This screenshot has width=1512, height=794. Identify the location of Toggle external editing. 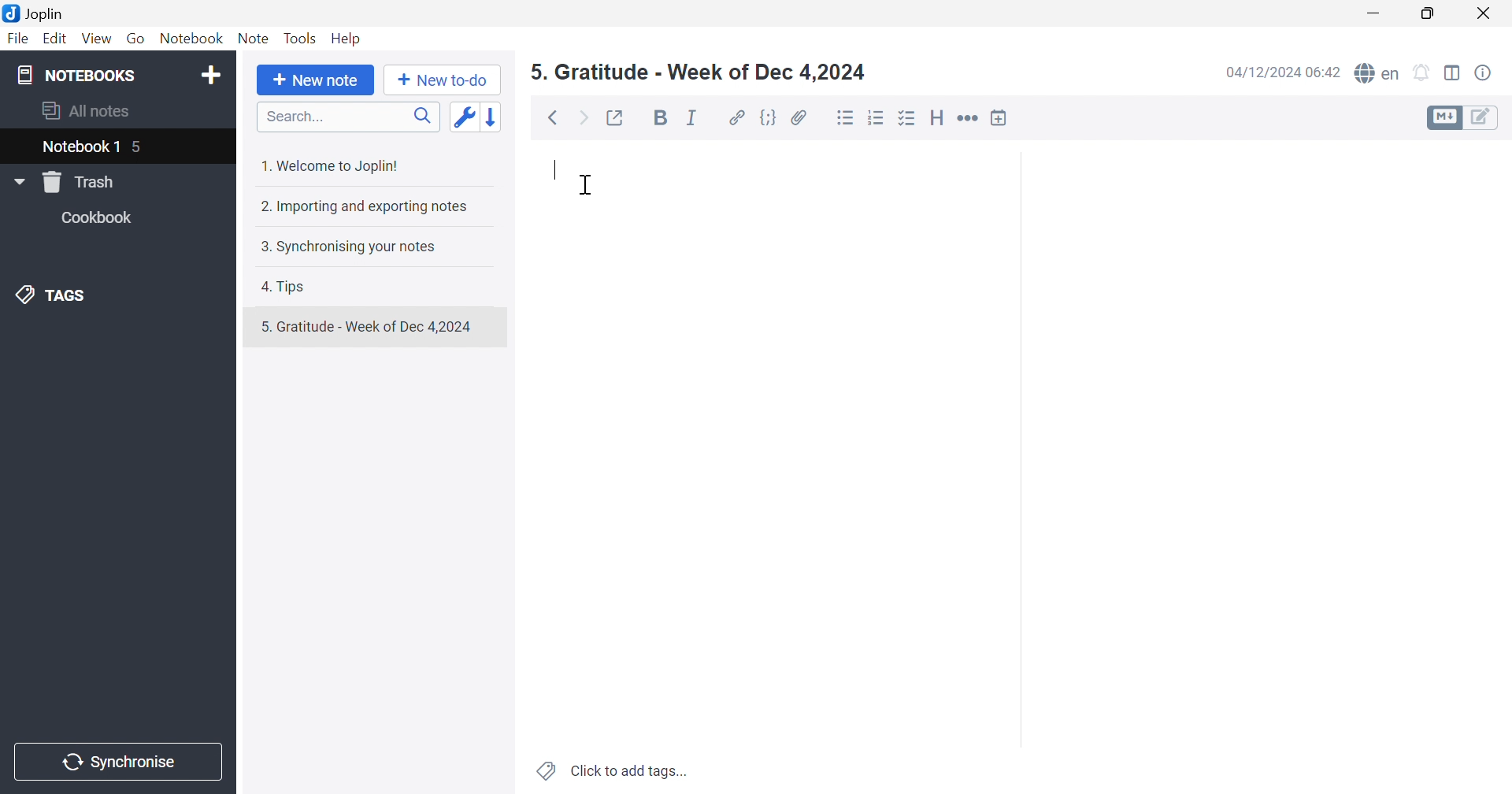
(621, 119).